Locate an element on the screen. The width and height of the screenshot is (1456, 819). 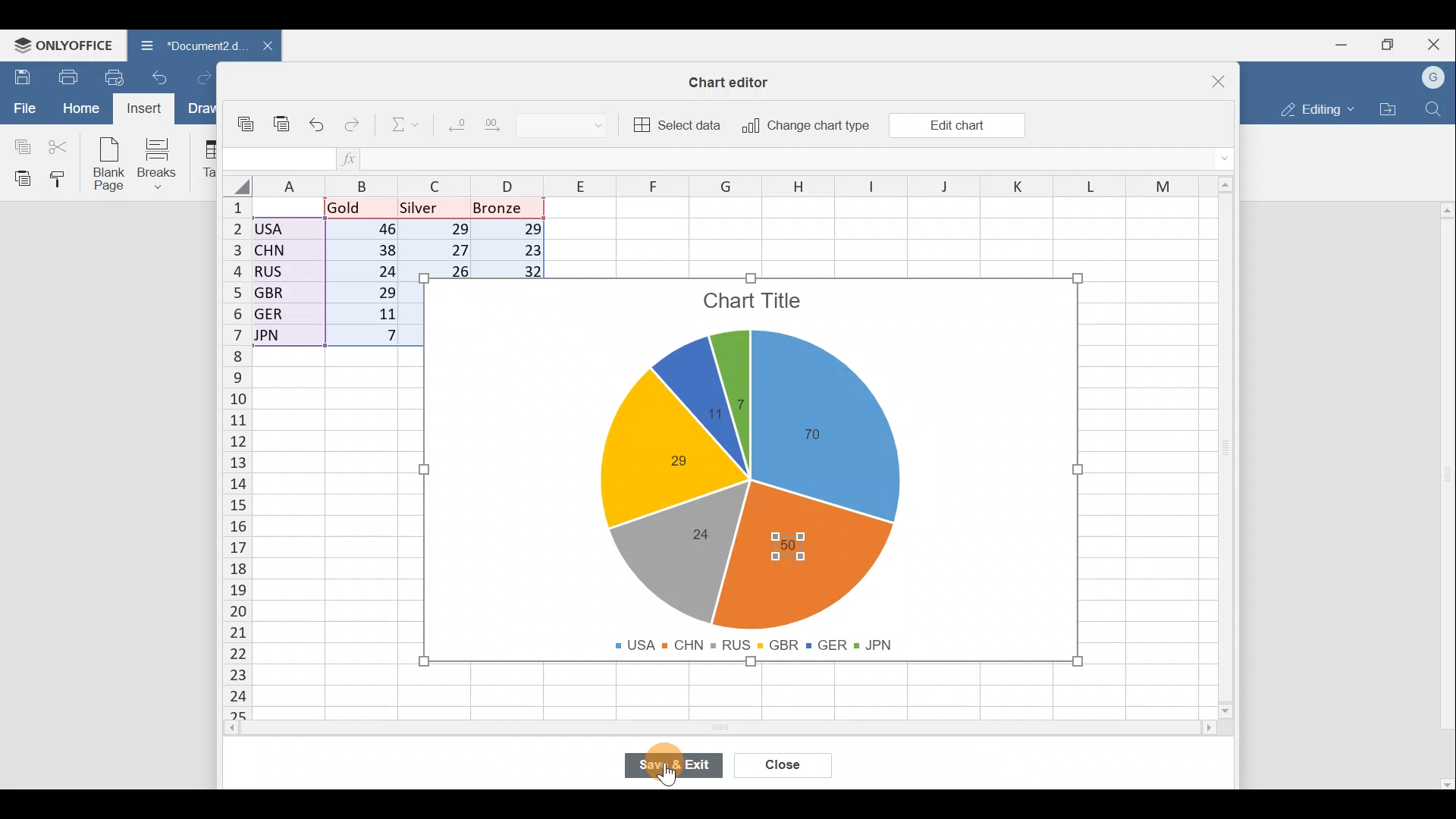
Close is located at coordinates (1225, 80).